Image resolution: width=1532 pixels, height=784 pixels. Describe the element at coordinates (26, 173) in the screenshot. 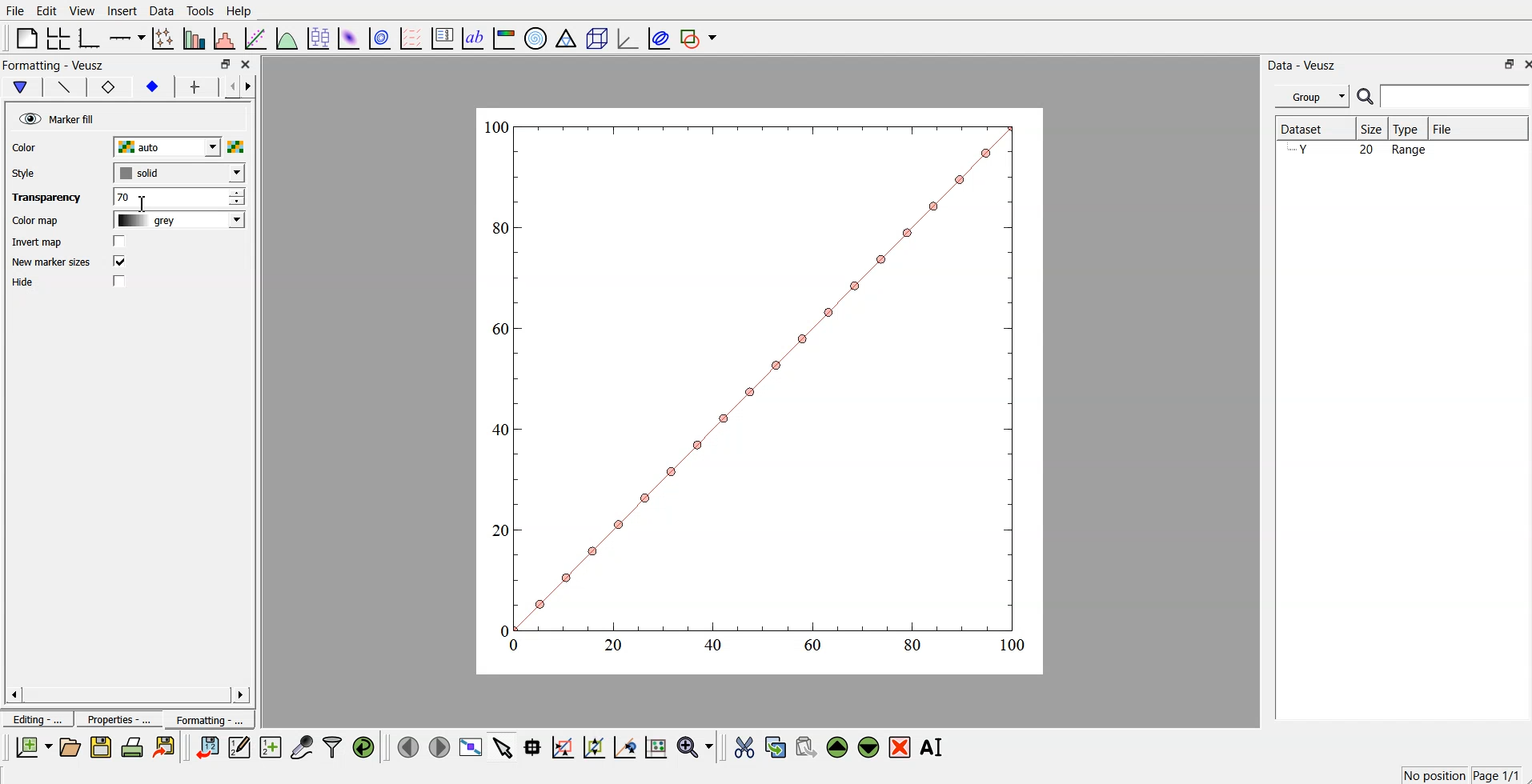

I see `| Style` at that location.